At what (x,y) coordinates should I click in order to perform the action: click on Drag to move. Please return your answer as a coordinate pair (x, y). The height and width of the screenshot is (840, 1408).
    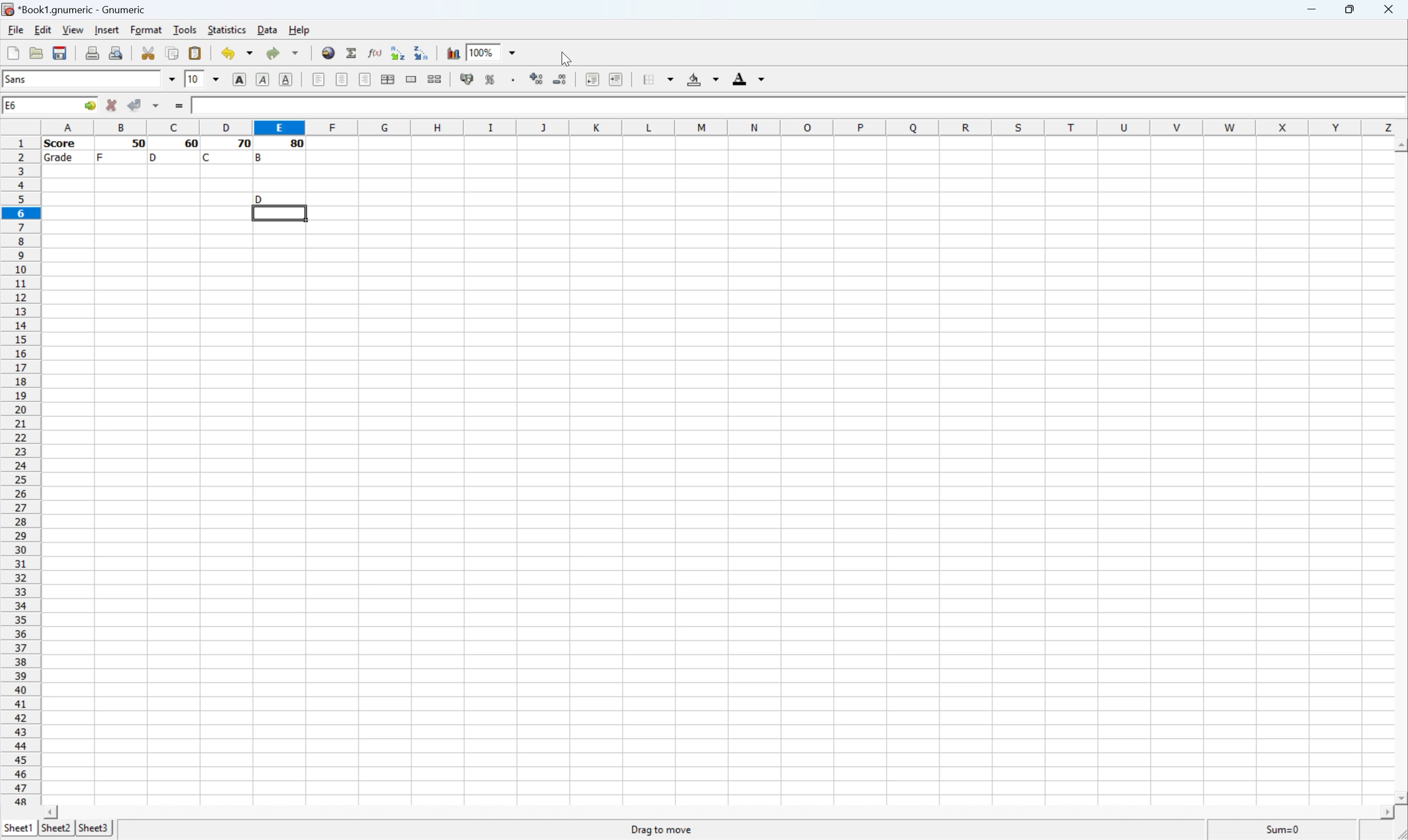
    Looking at the image, I should click on (662, 831).